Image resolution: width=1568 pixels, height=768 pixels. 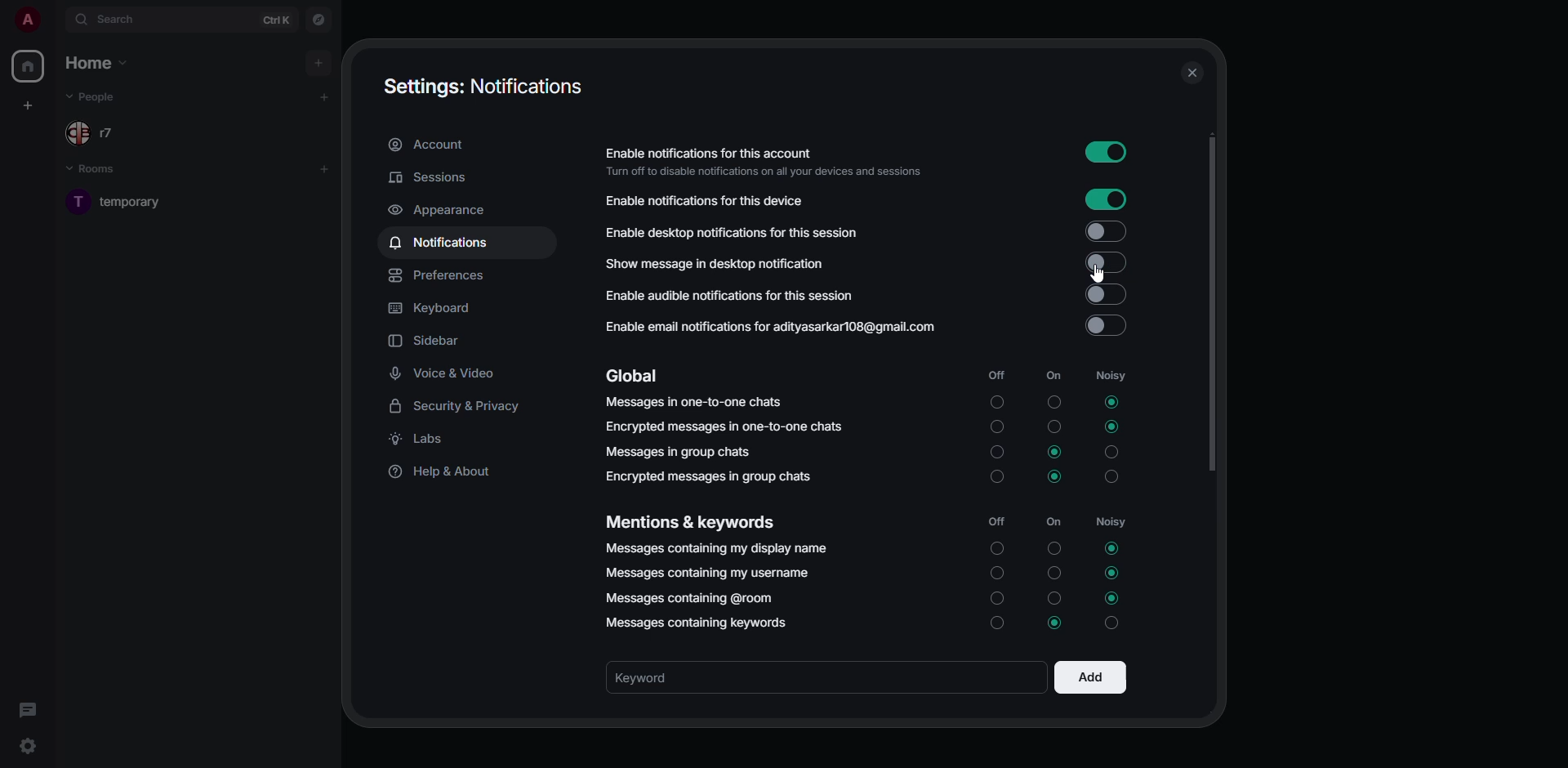 I want to click on off, so click(x=996, y=521).